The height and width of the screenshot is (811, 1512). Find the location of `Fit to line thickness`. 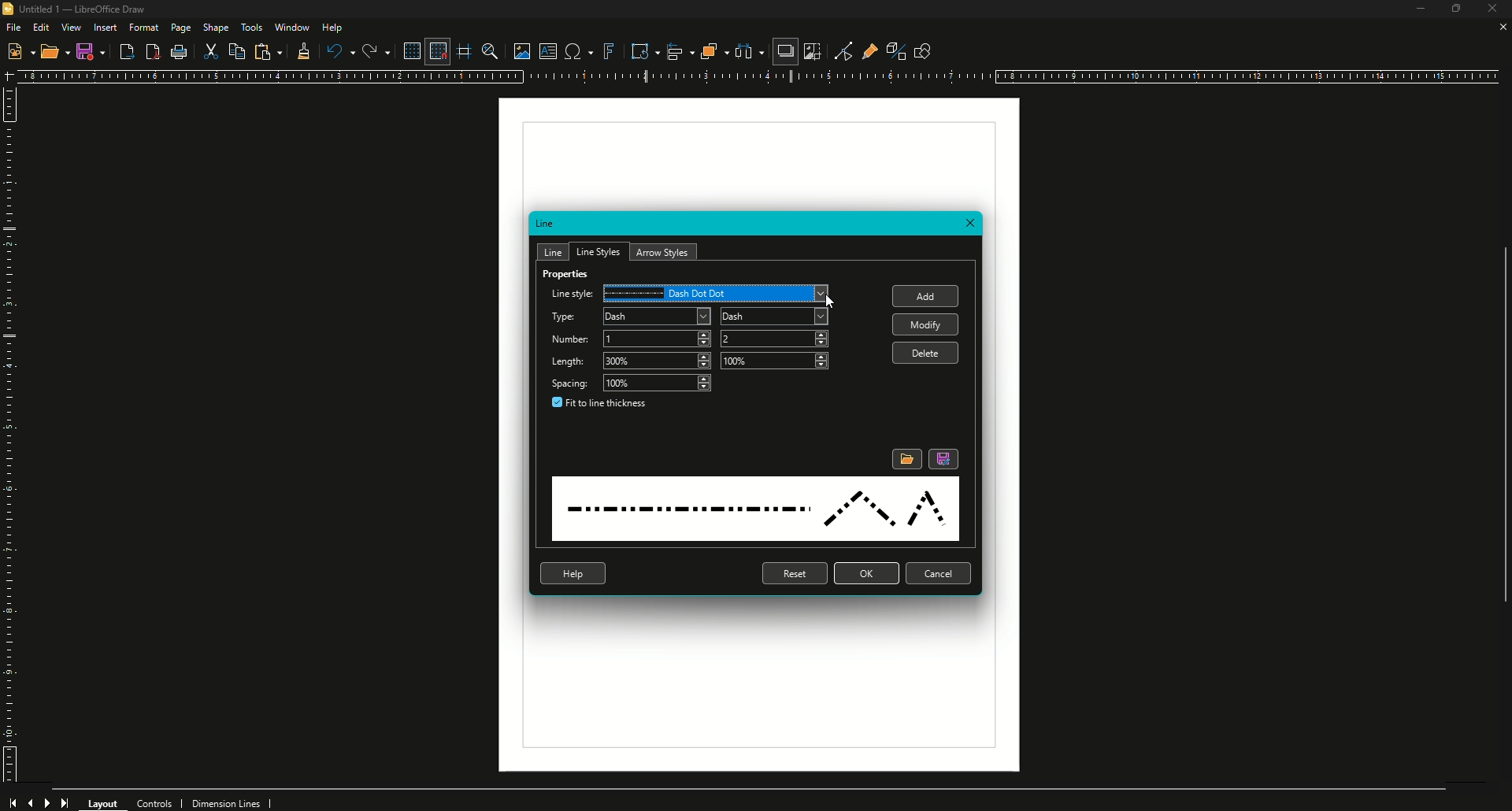

Fit to line thickness is located at coordinates (602, 405).